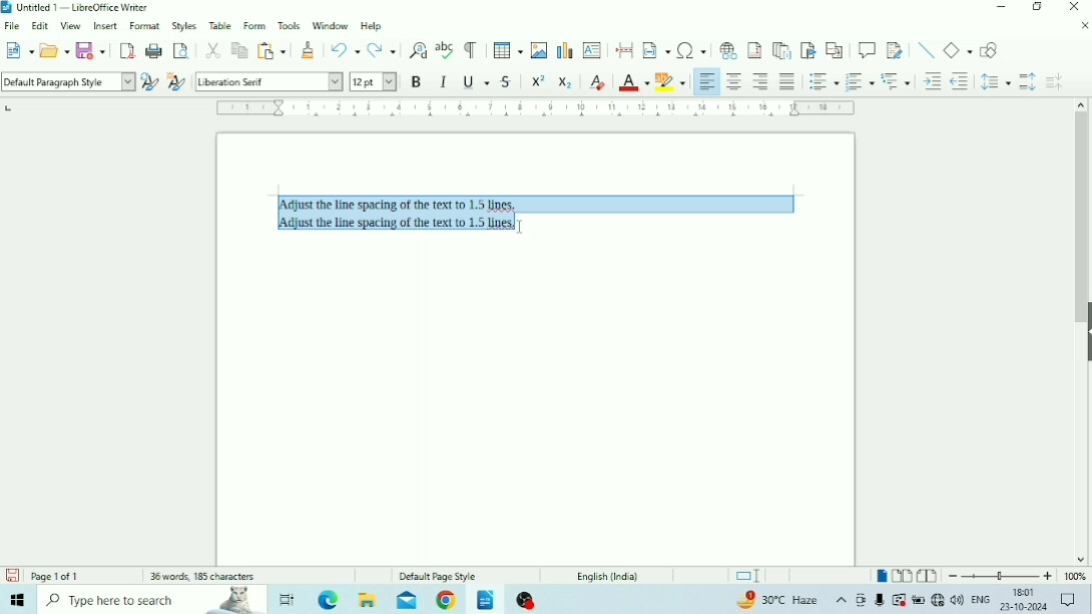 This screenshot has height=614, width=1092. What do you see at coordinates (918, 599) in the screenshot?
I see `Charging, plugged in` at bounding box center [918, 599].